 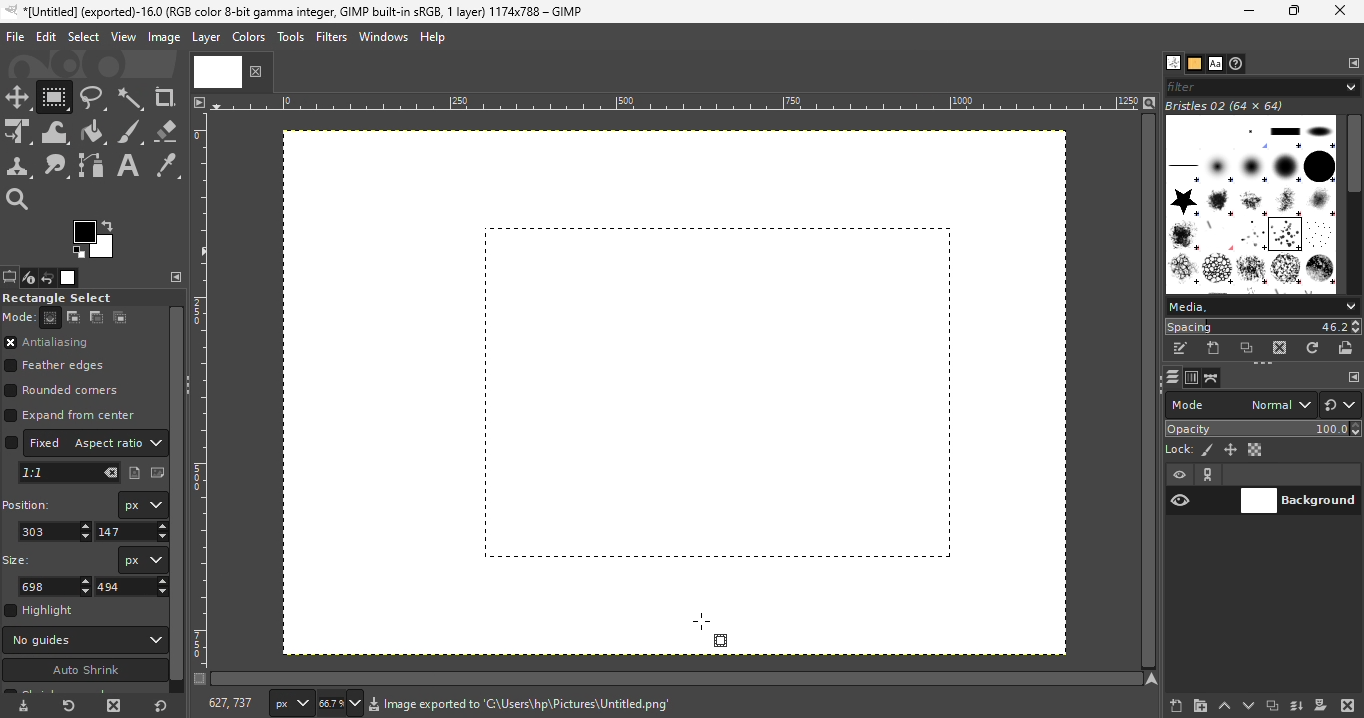 What do you see at coordinates (56, 167) in the screenshot?
I see `Smudge tool` at bounding box center [56, 167].